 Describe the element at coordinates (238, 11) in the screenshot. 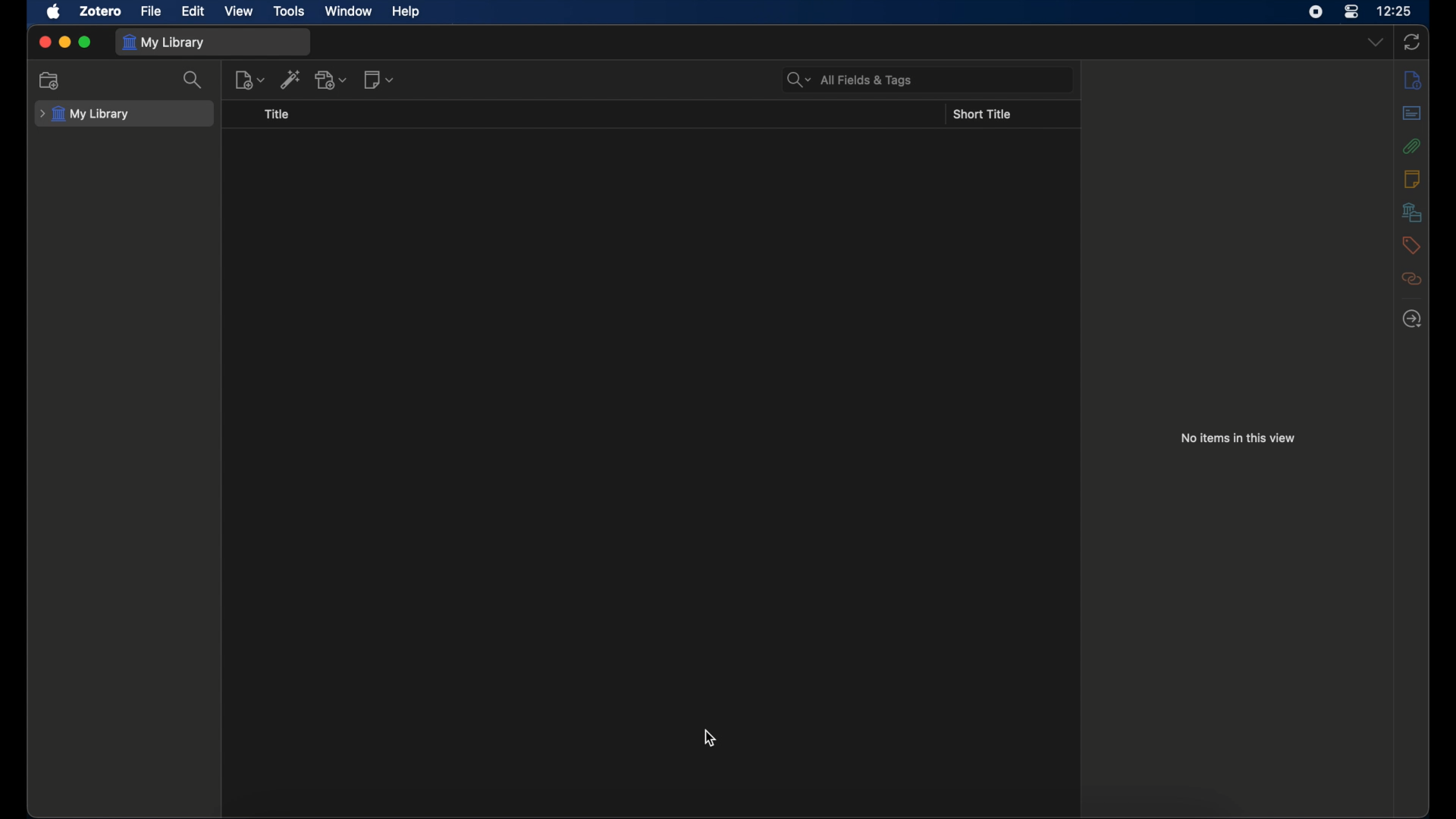

I see `view` at that location.